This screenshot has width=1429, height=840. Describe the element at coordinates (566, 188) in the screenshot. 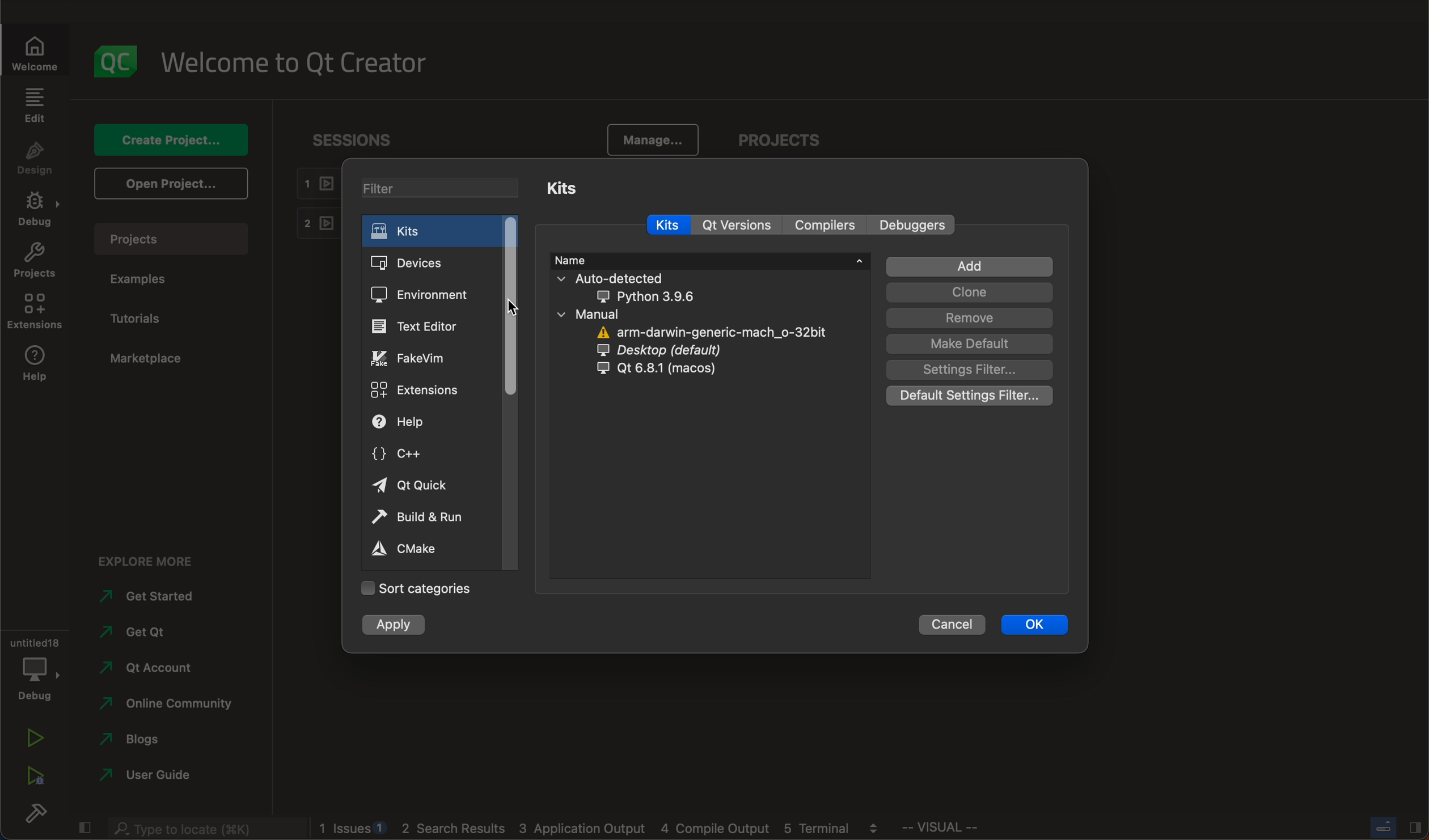

I see `kits` at that location.